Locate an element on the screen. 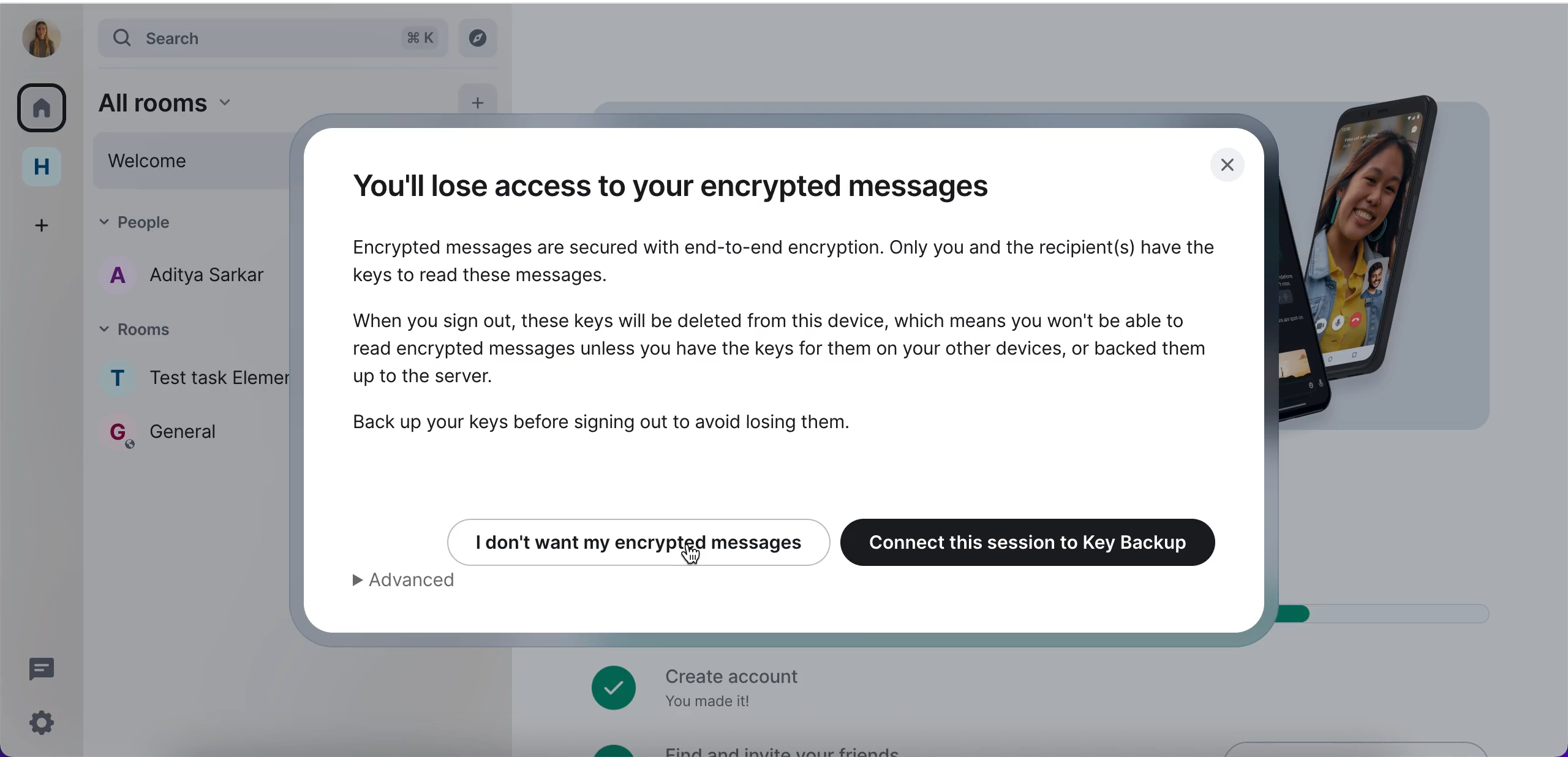  connect this session to key backup is located at coordinates (1037, 540).